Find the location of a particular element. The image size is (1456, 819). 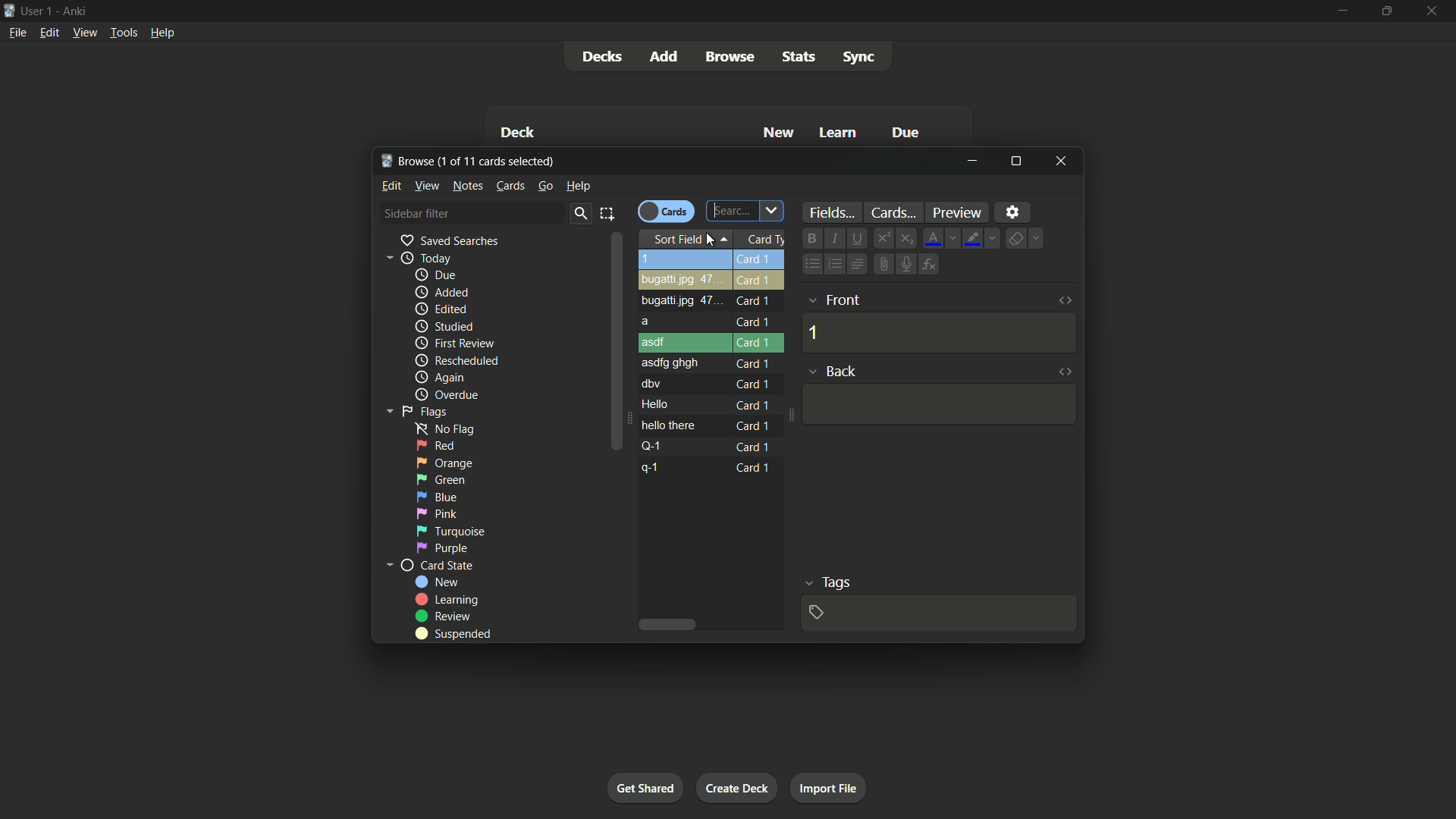

edit is located at coordinates (391, 185).